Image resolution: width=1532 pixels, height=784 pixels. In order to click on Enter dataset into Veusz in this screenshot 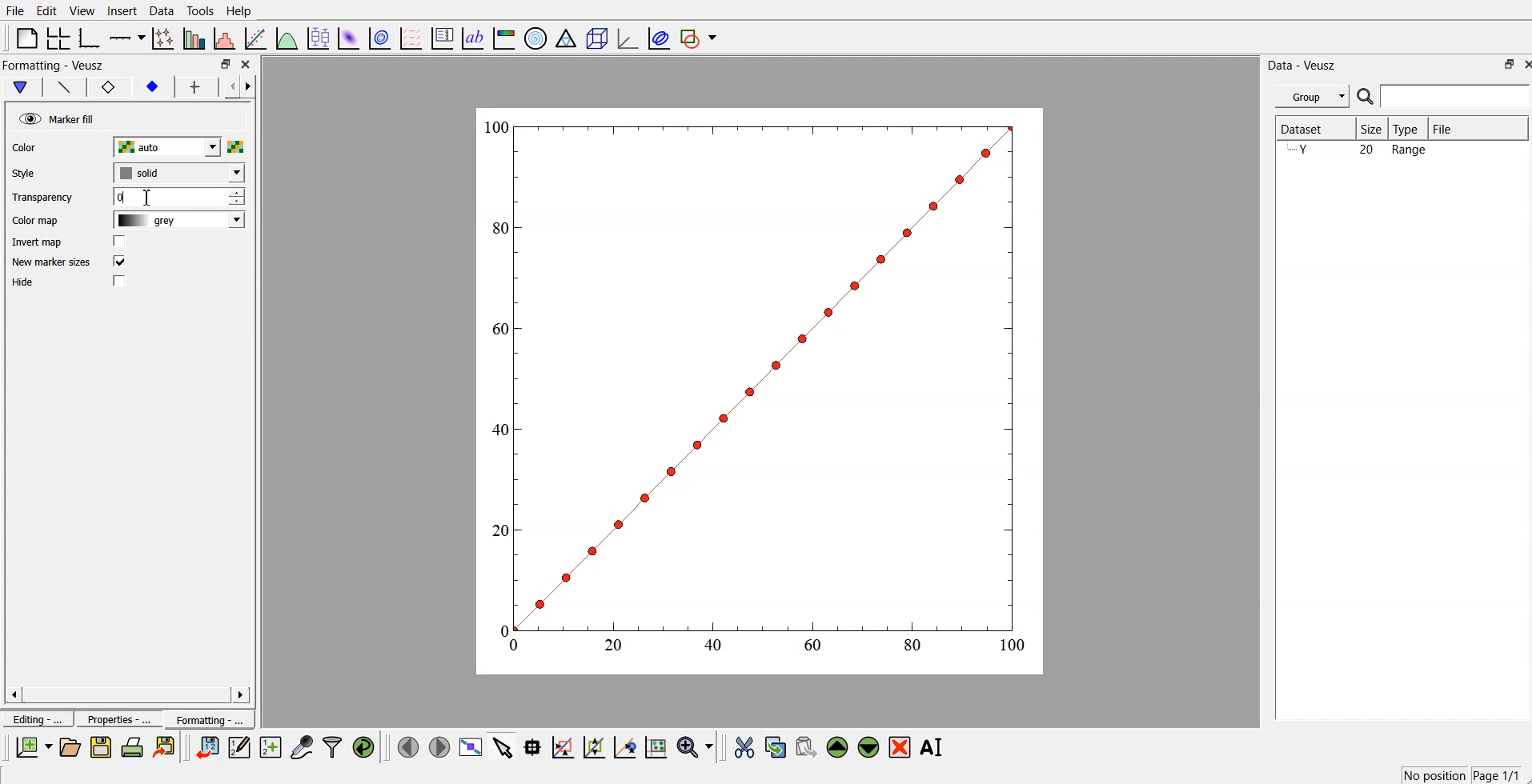, I will do `click(206, 747)`.